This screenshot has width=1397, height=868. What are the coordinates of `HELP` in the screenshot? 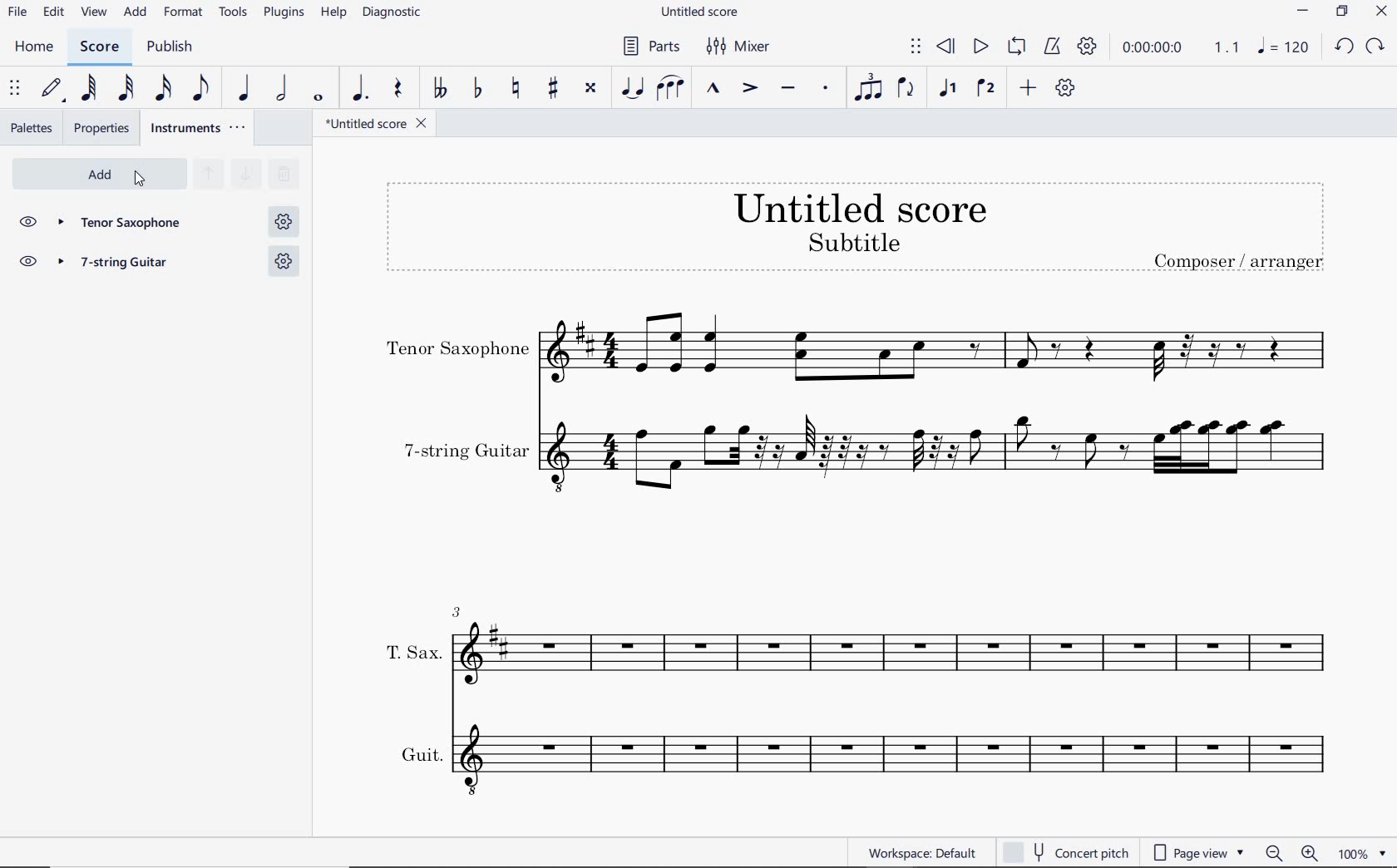 It's located at (331, 14).